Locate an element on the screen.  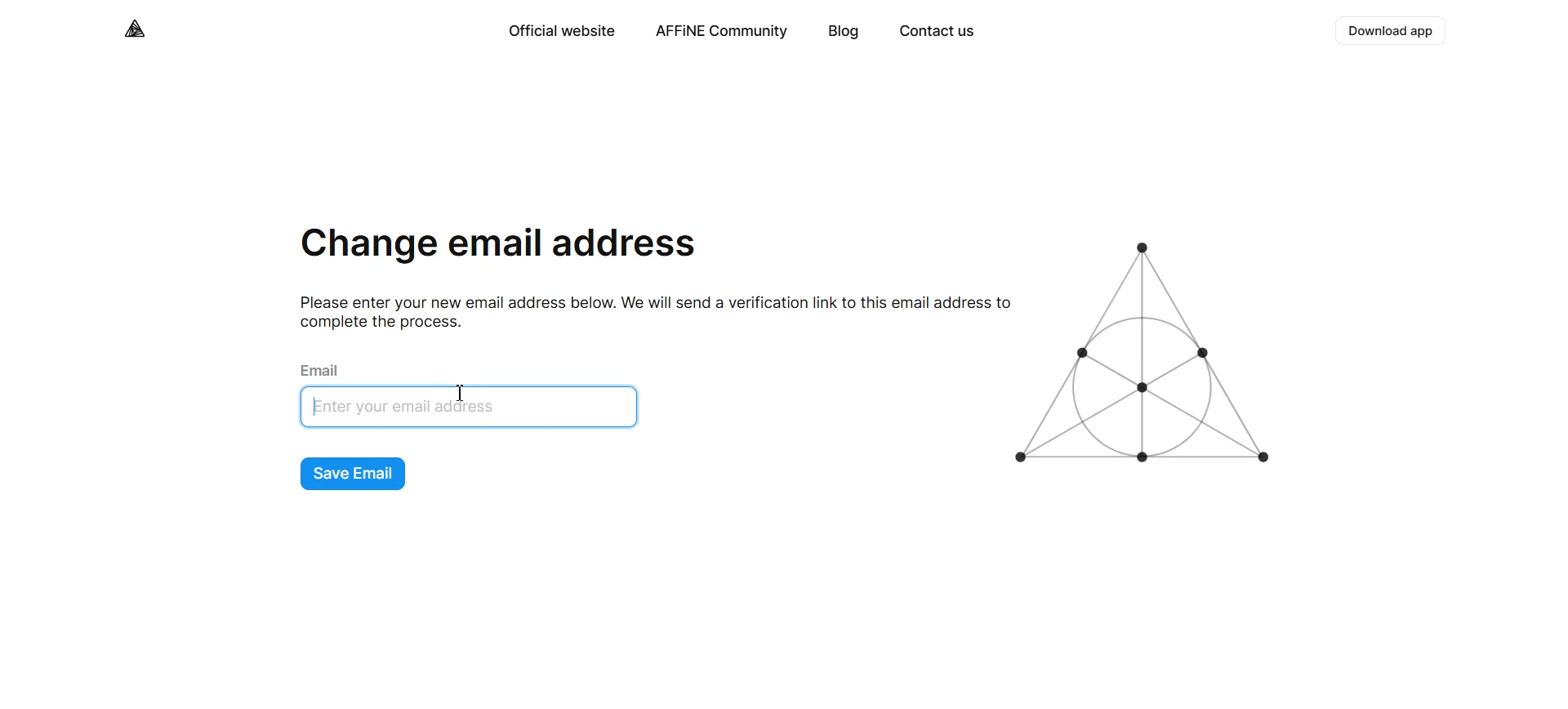
please enter your email is located at coordinates (648, 311).